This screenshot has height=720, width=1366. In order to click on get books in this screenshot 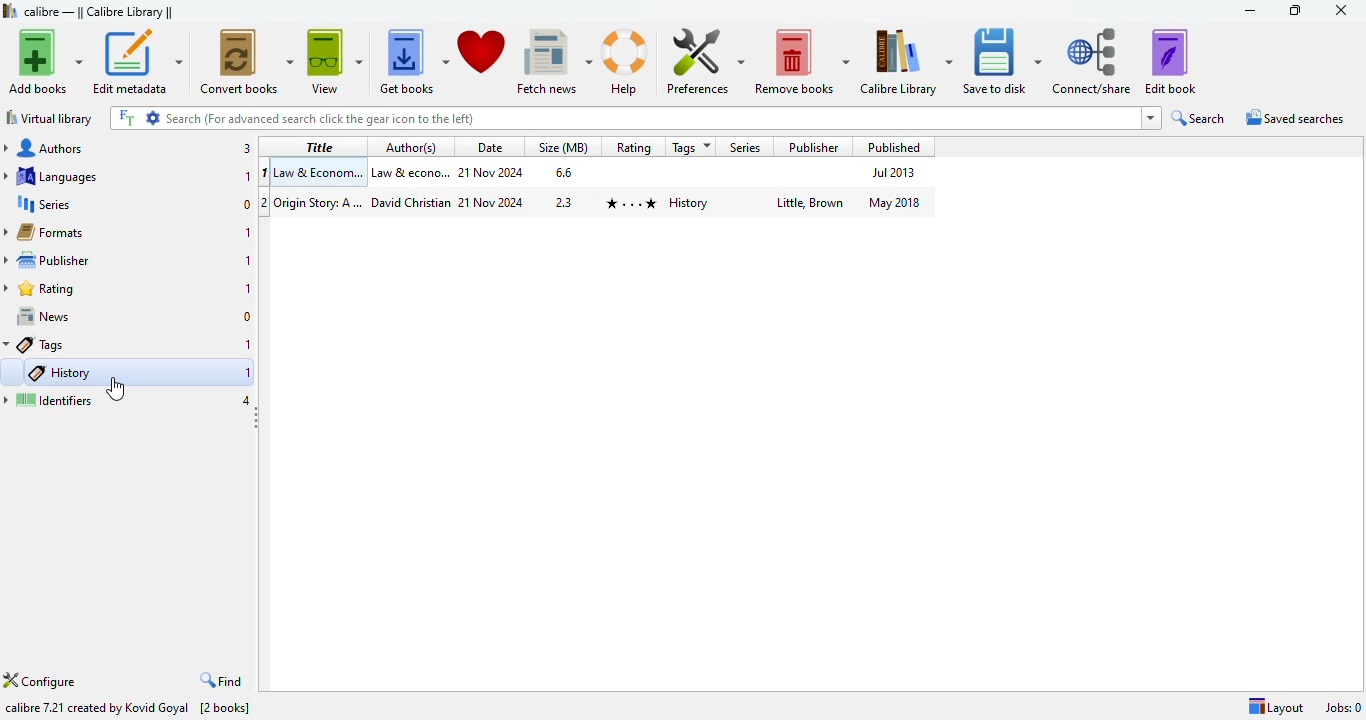, I will do `click(413, 61)`.